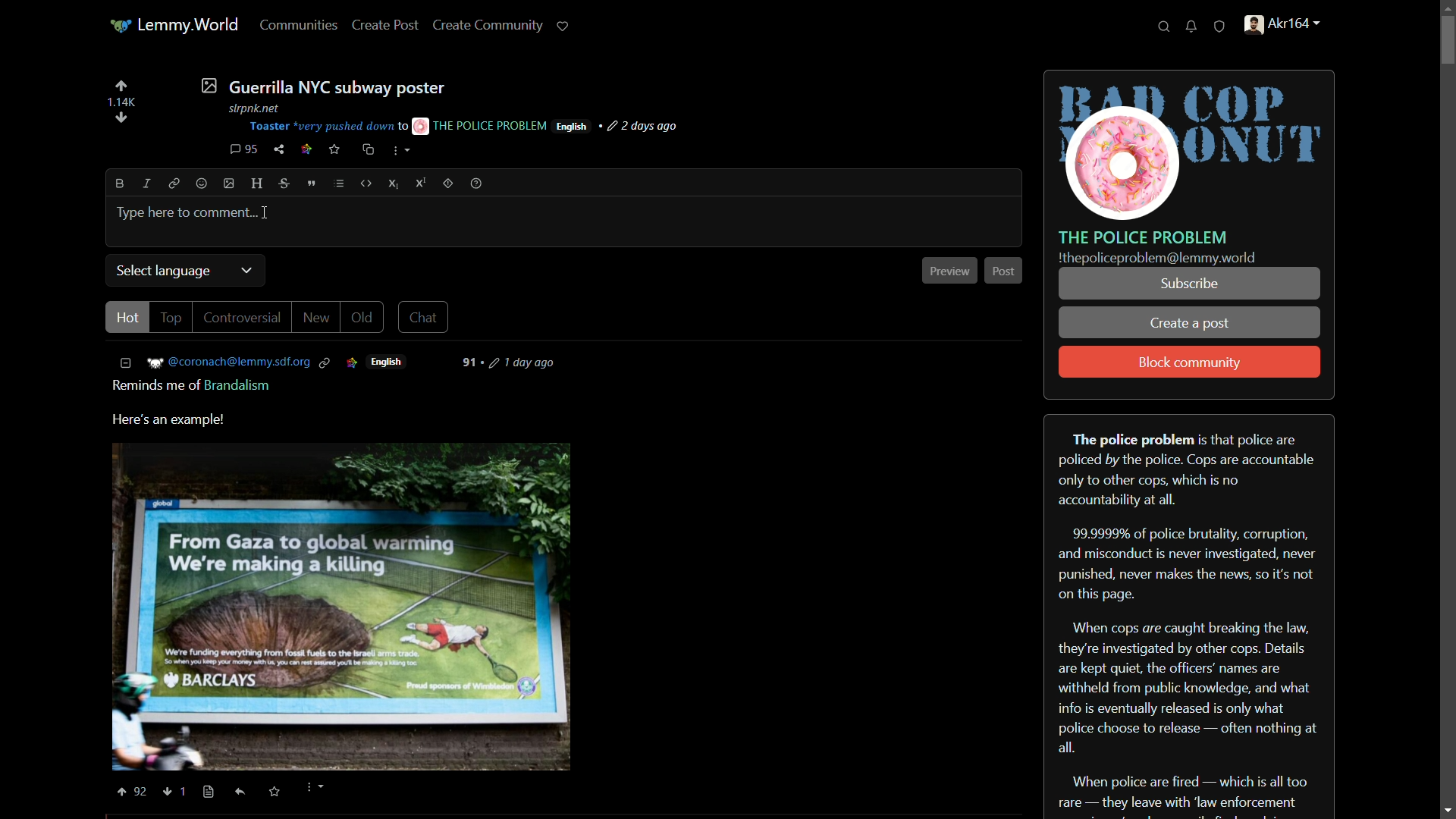 Image resolution: width=1456 pixels, height=819 pixels. What do you see at coordinates (145, 183) in the screenshot?
I see `italic` at bounding box center [145, 183].